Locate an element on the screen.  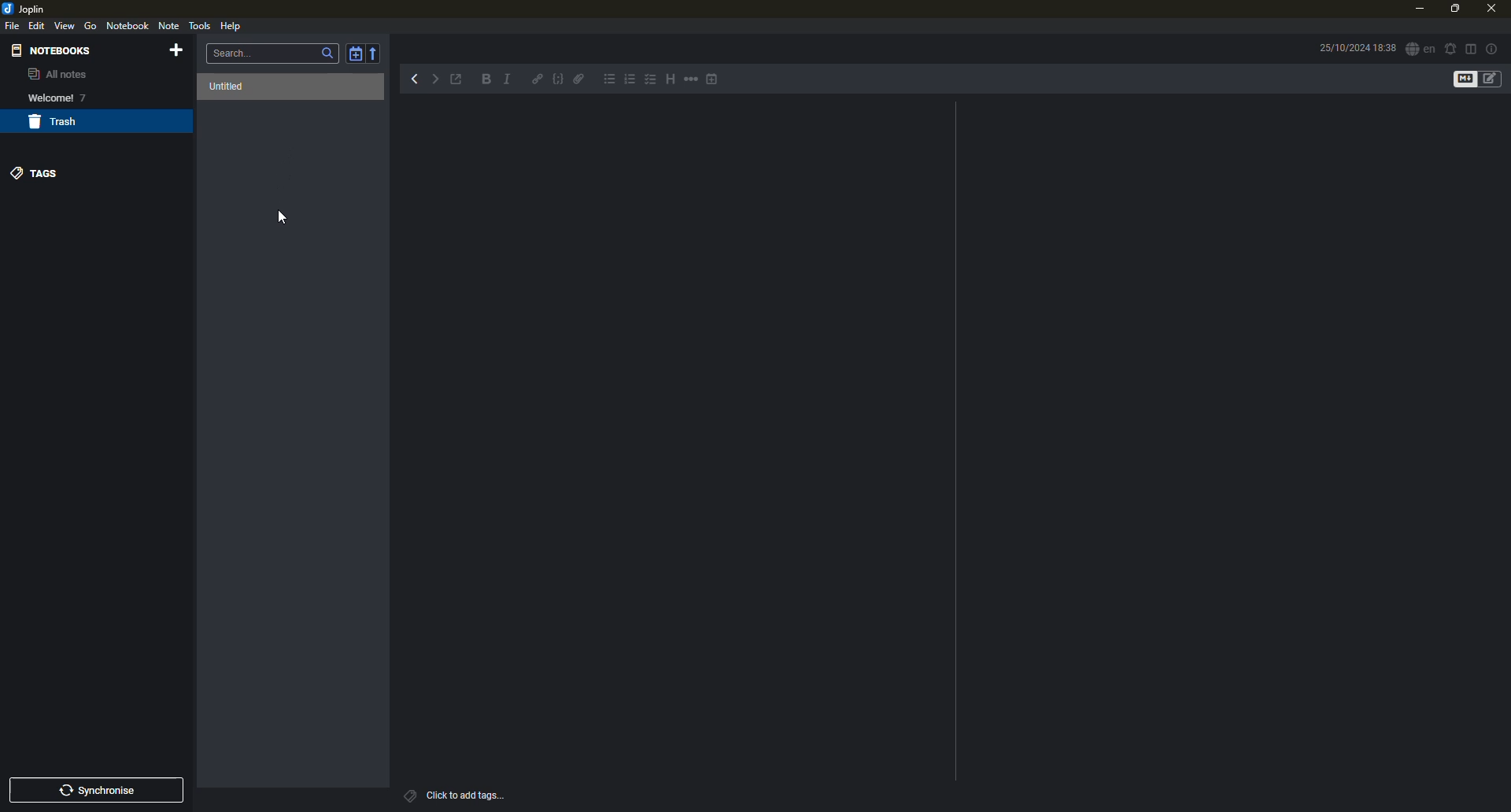
bold is located at coordinates (484, 80).